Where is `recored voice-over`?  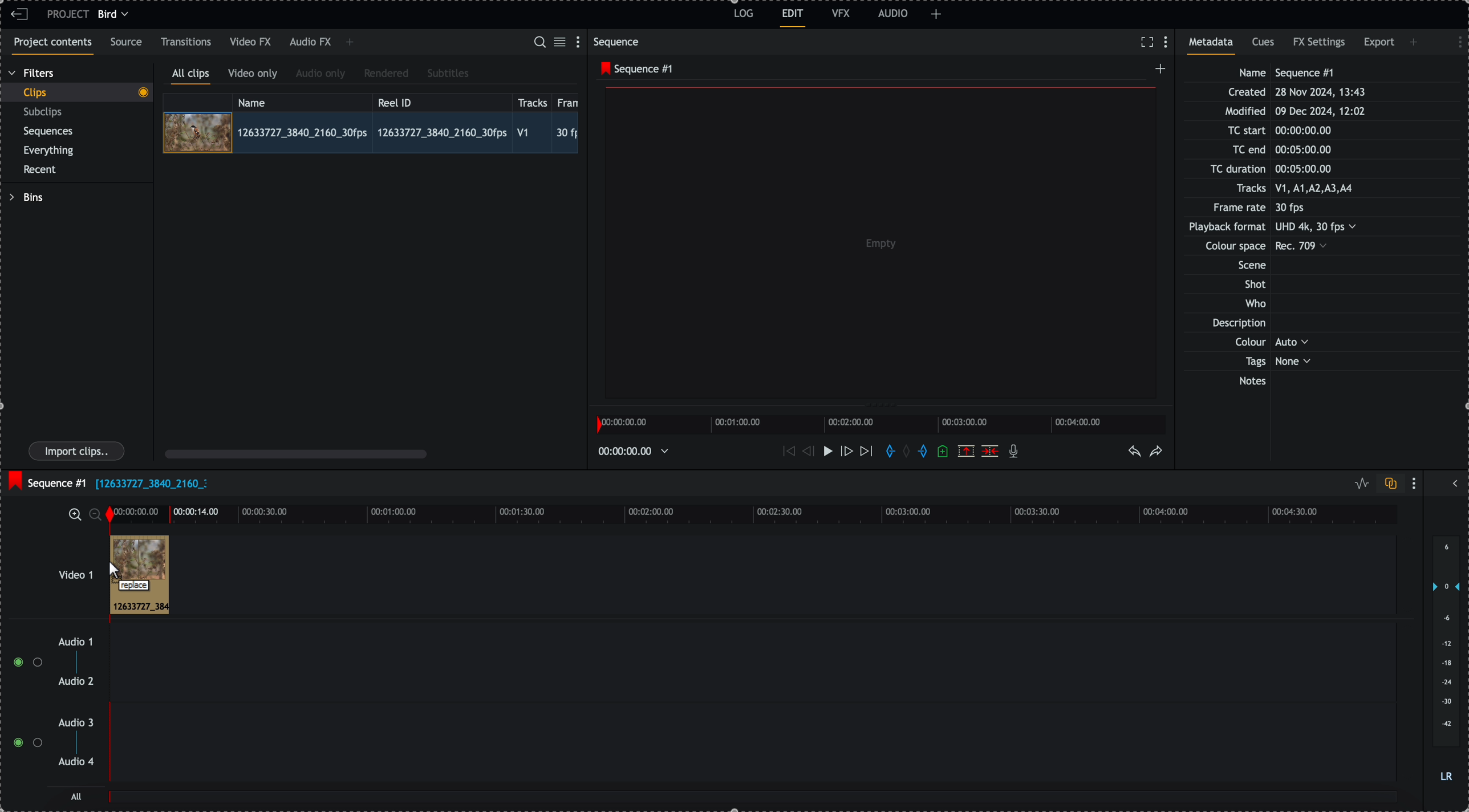
recored voice-over is located at coordinates (1016, 452).